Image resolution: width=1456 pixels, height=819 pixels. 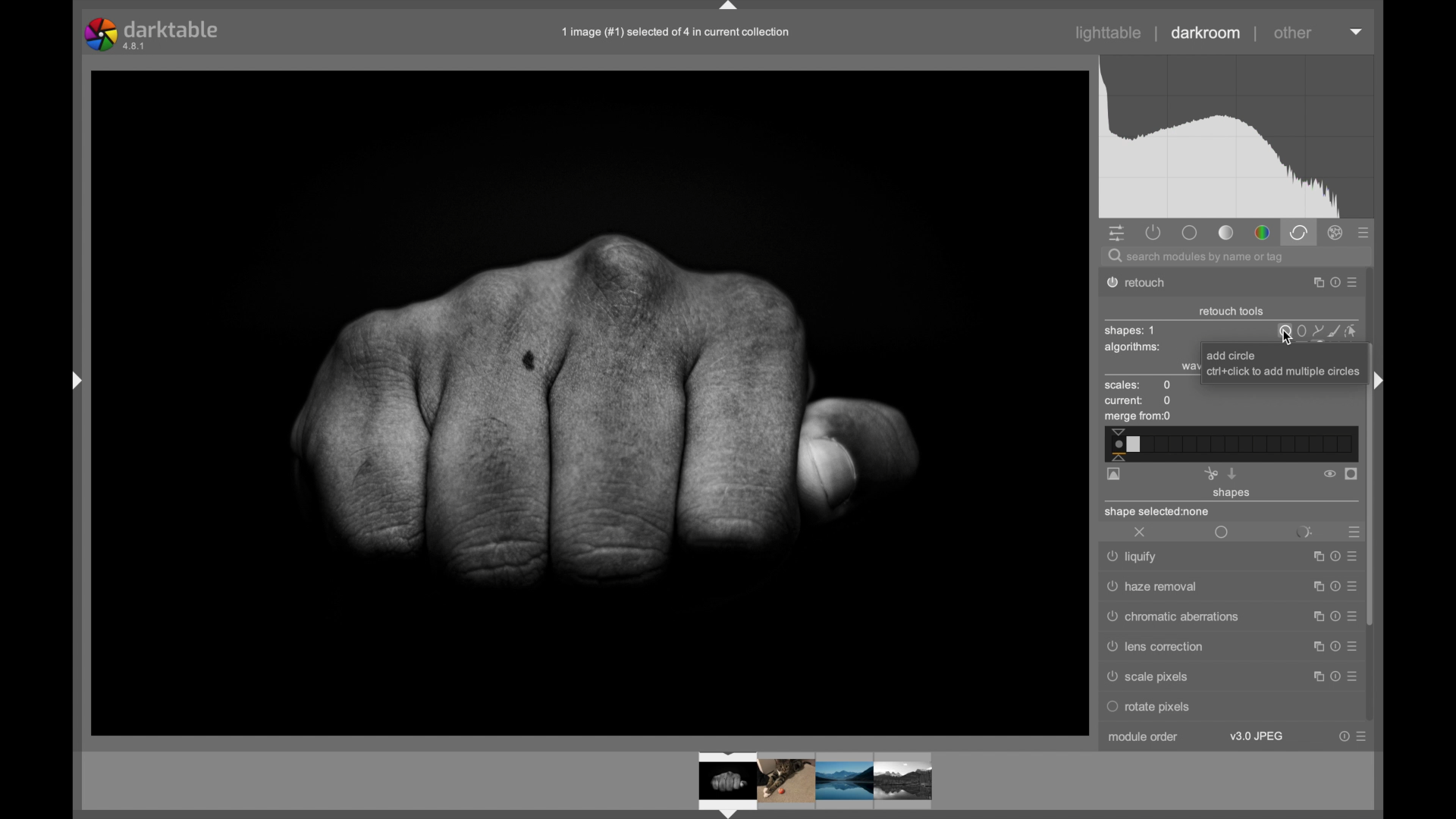 I want to click on show active modules only, so click(x=1154, y=232).